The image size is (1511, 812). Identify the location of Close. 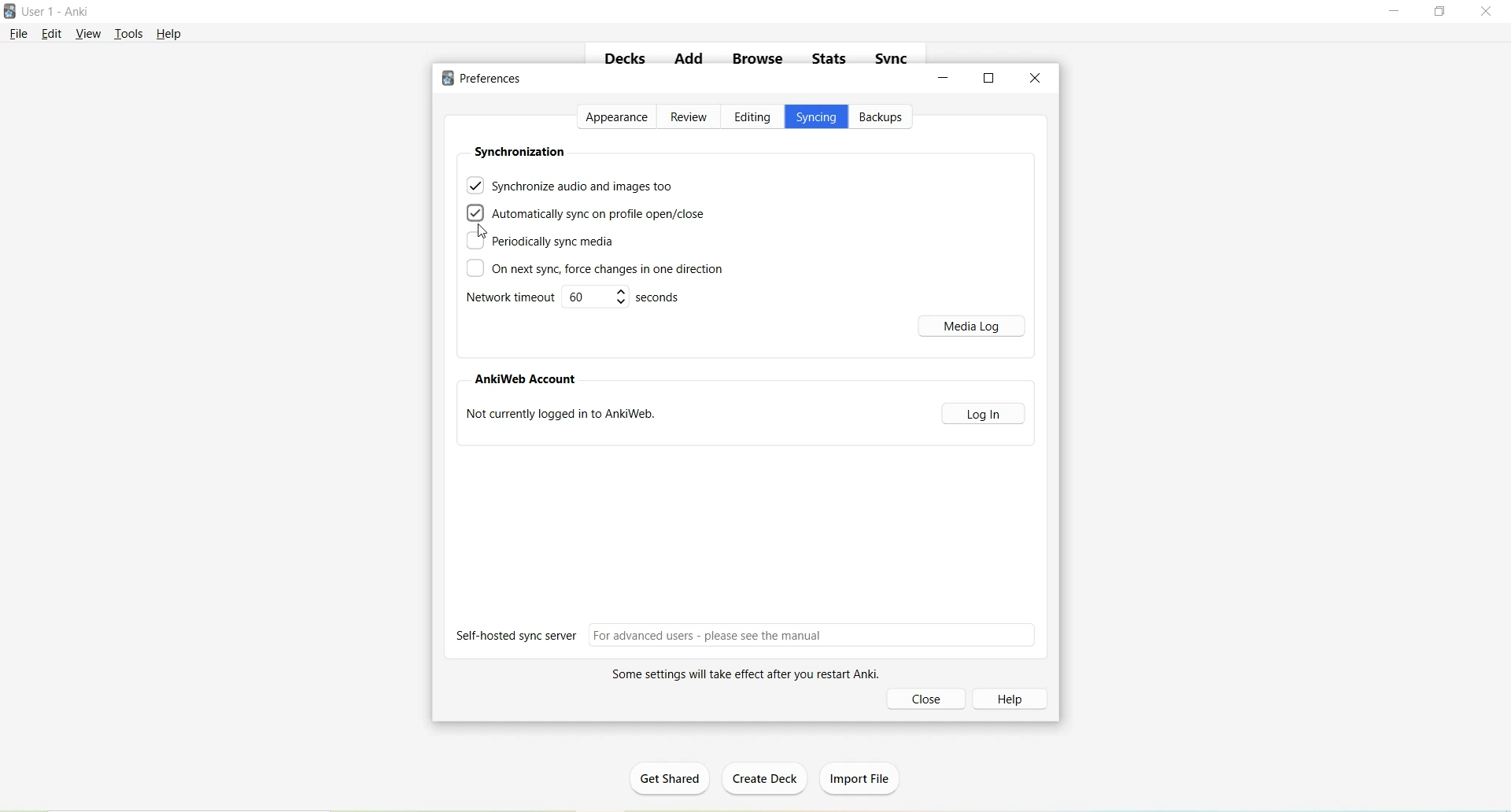
(1036, 78).